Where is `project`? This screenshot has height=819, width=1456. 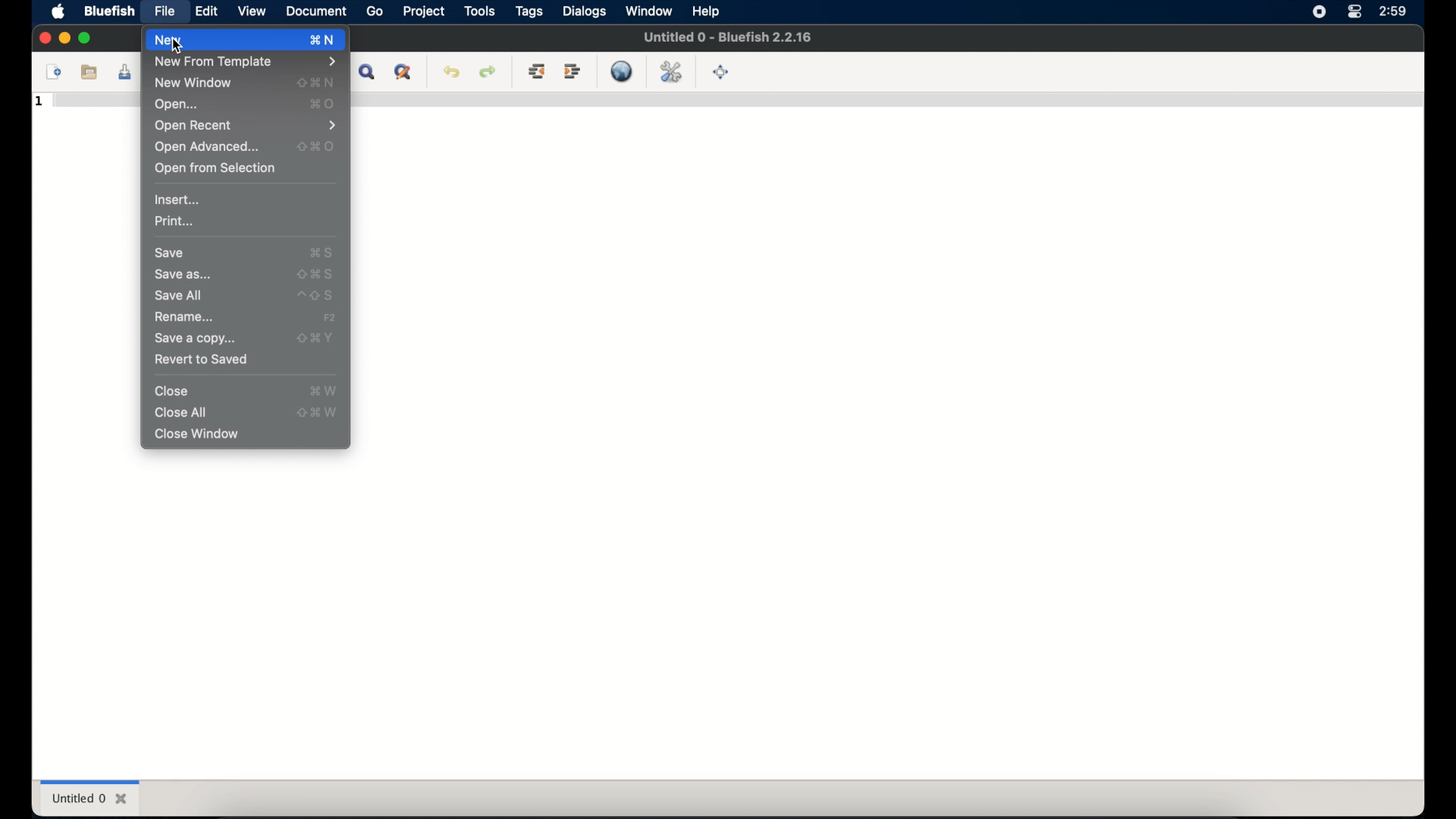
project is located at coordinates (425, 11).